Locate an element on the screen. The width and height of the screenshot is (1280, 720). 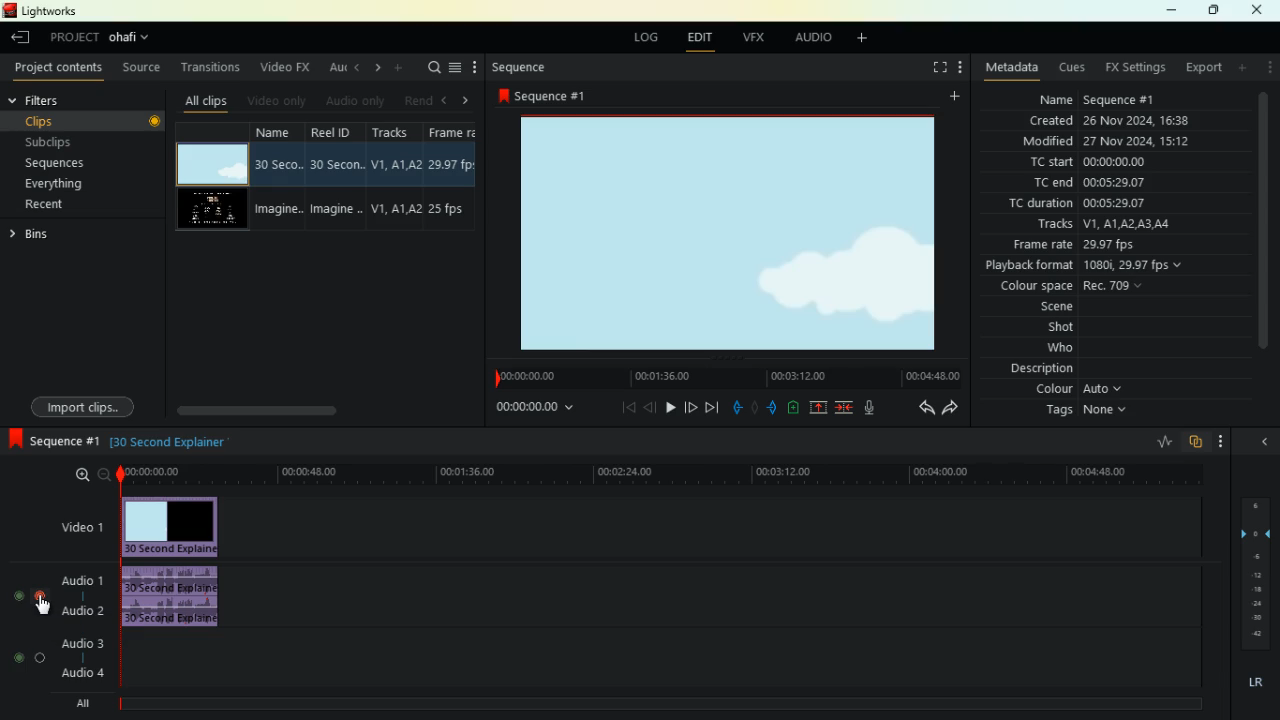
minimize is located at coordinates (1171, 10).